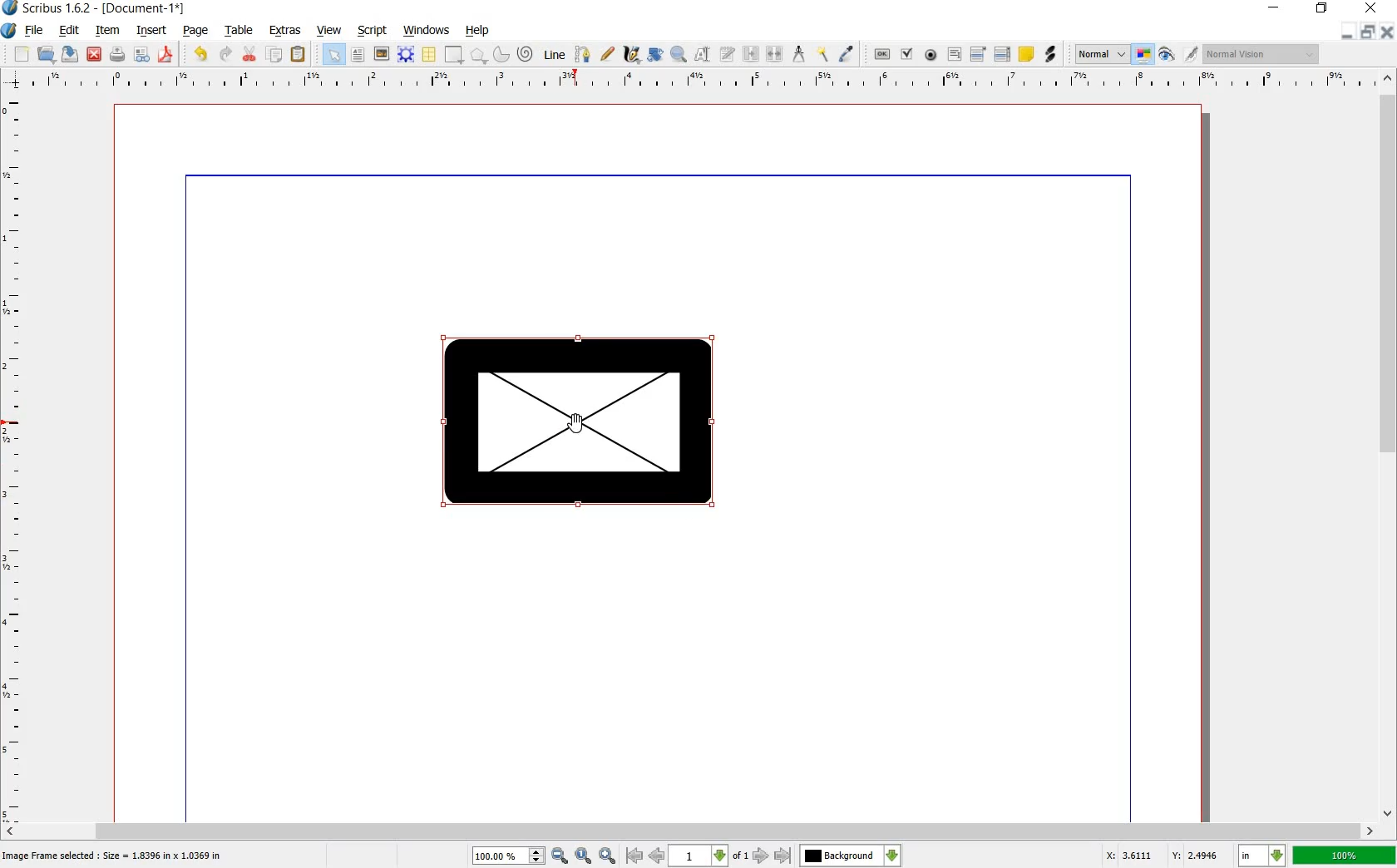 This screenshot has height=868, width=1397. Describe the element at coordinates (225, 55) in the screenshot. I see `redo` at that location.